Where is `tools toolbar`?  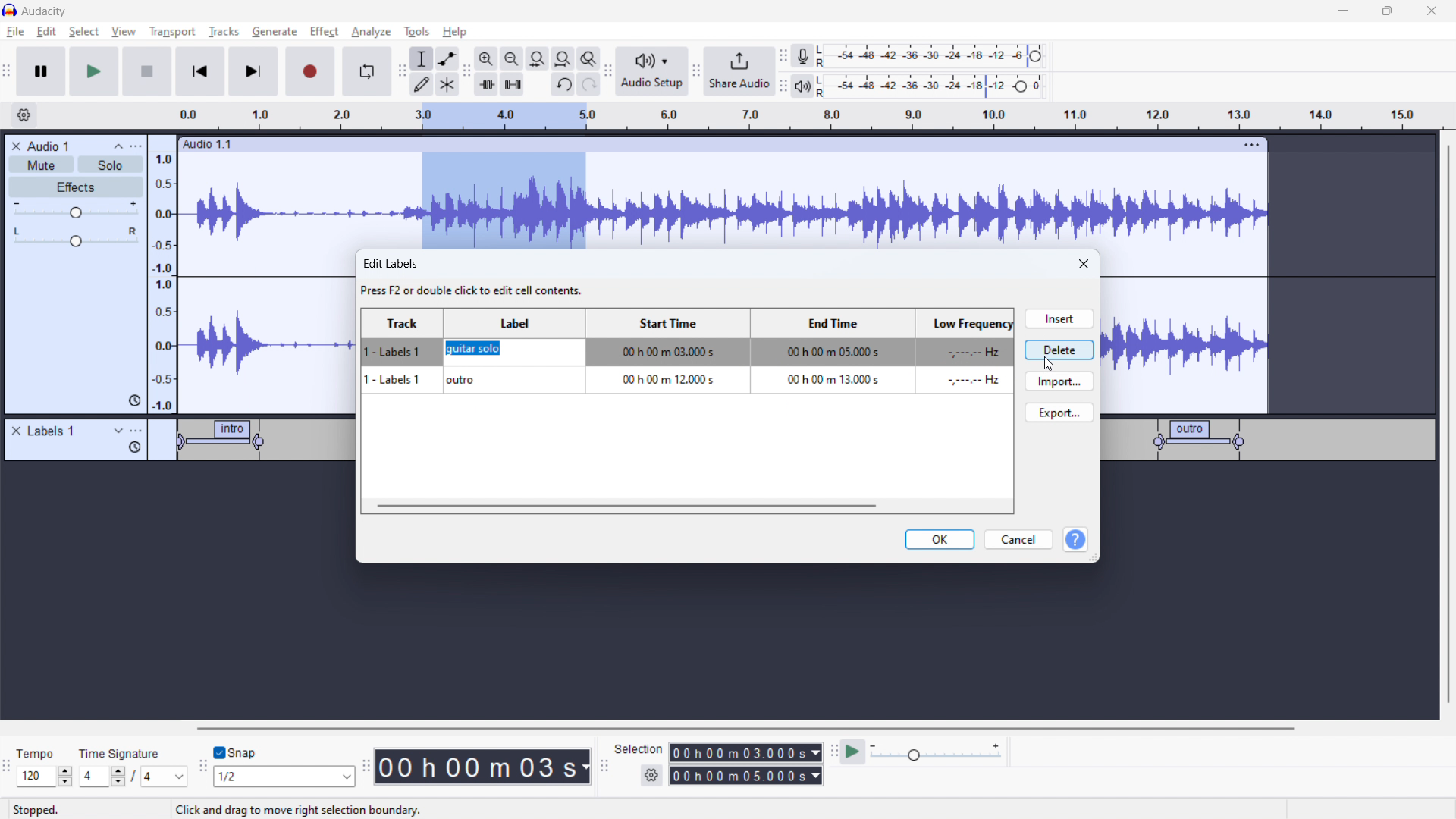
tools toolbar is located at coordinates (402, 71).